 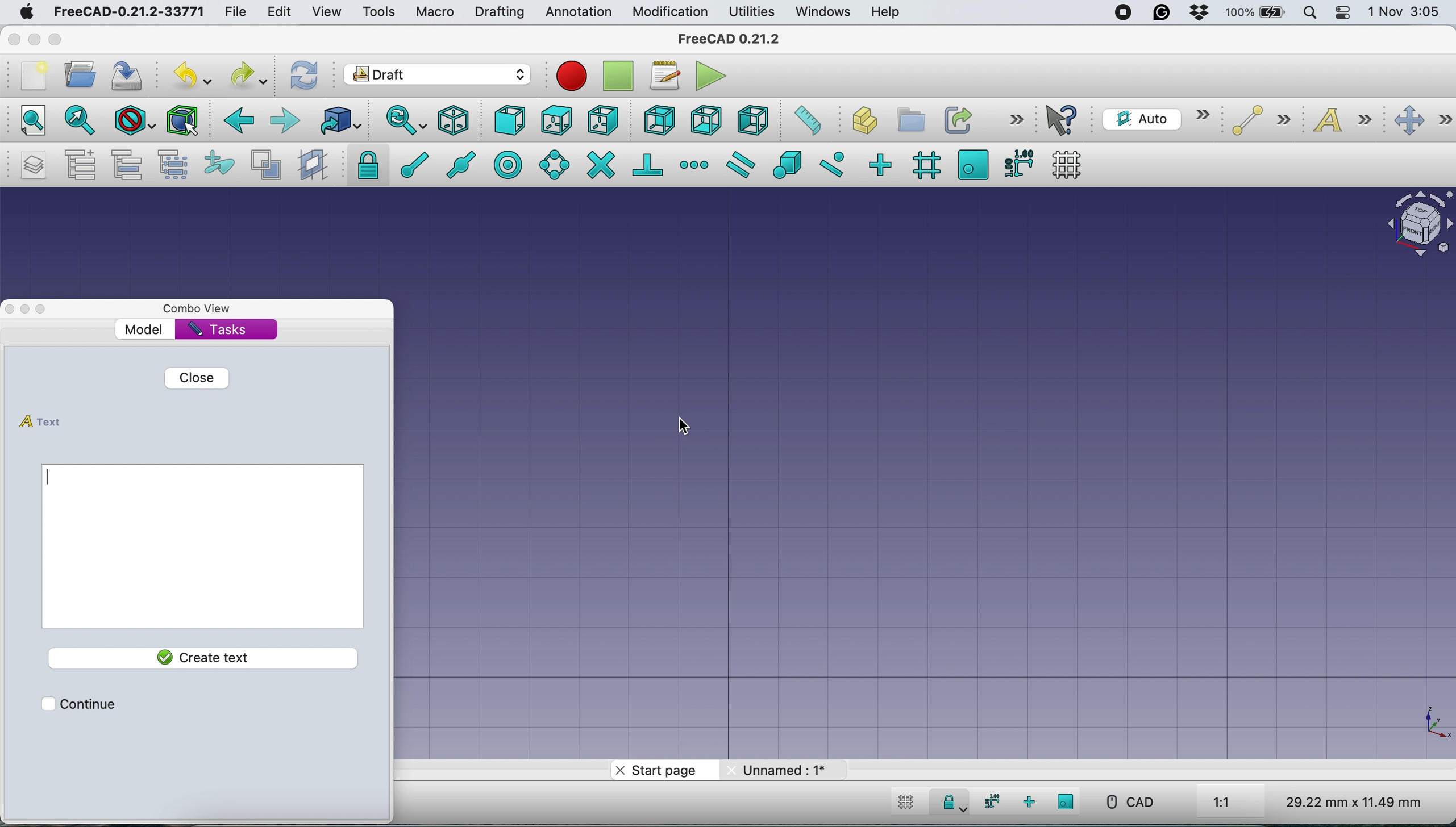 What do you see at coordinates (554, 163) in the screenshot?
I see `snap angel` at bounding box center [554, 163].